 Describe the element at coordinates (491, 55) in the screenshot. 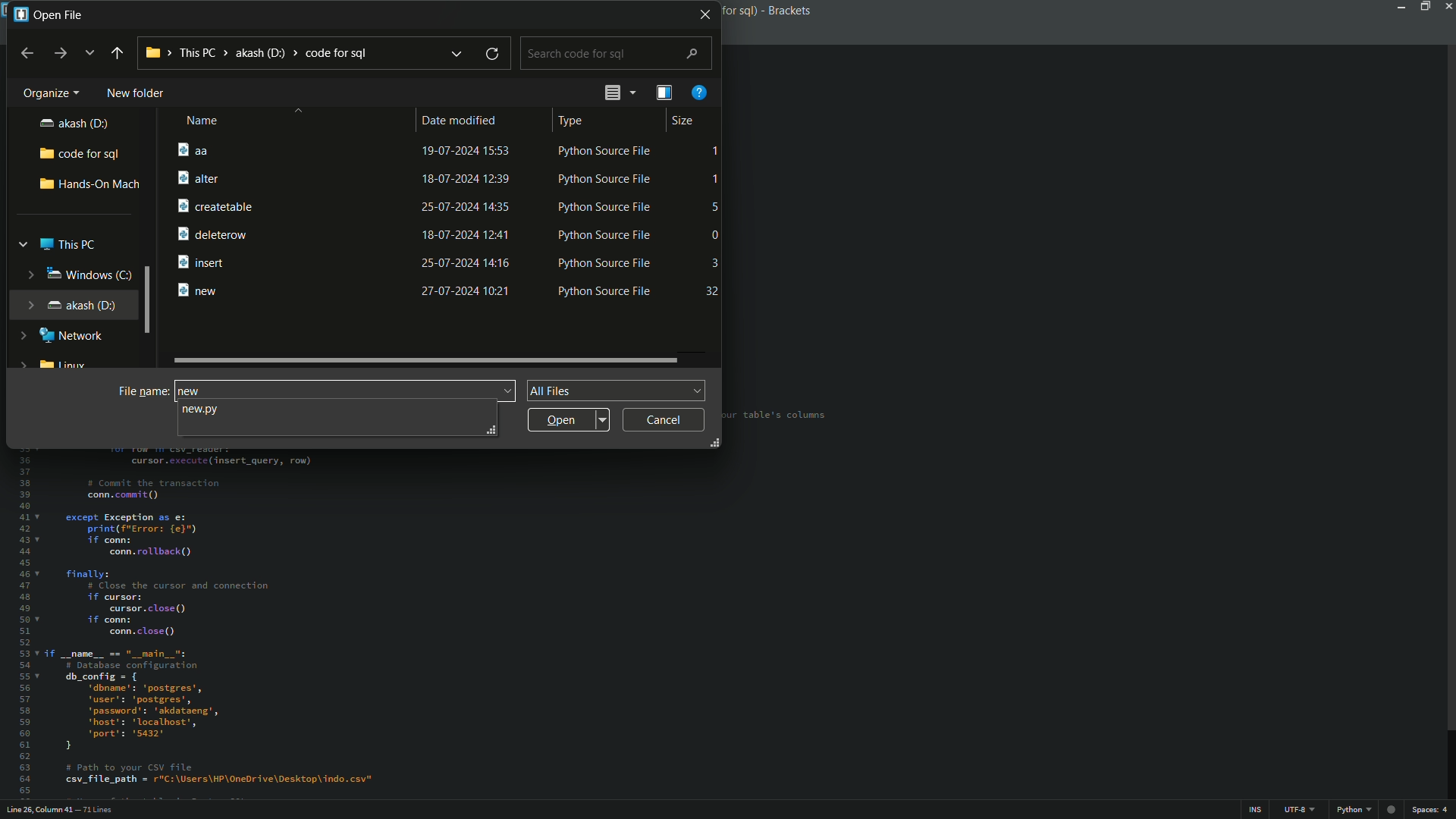

I see `refresh` at that location.